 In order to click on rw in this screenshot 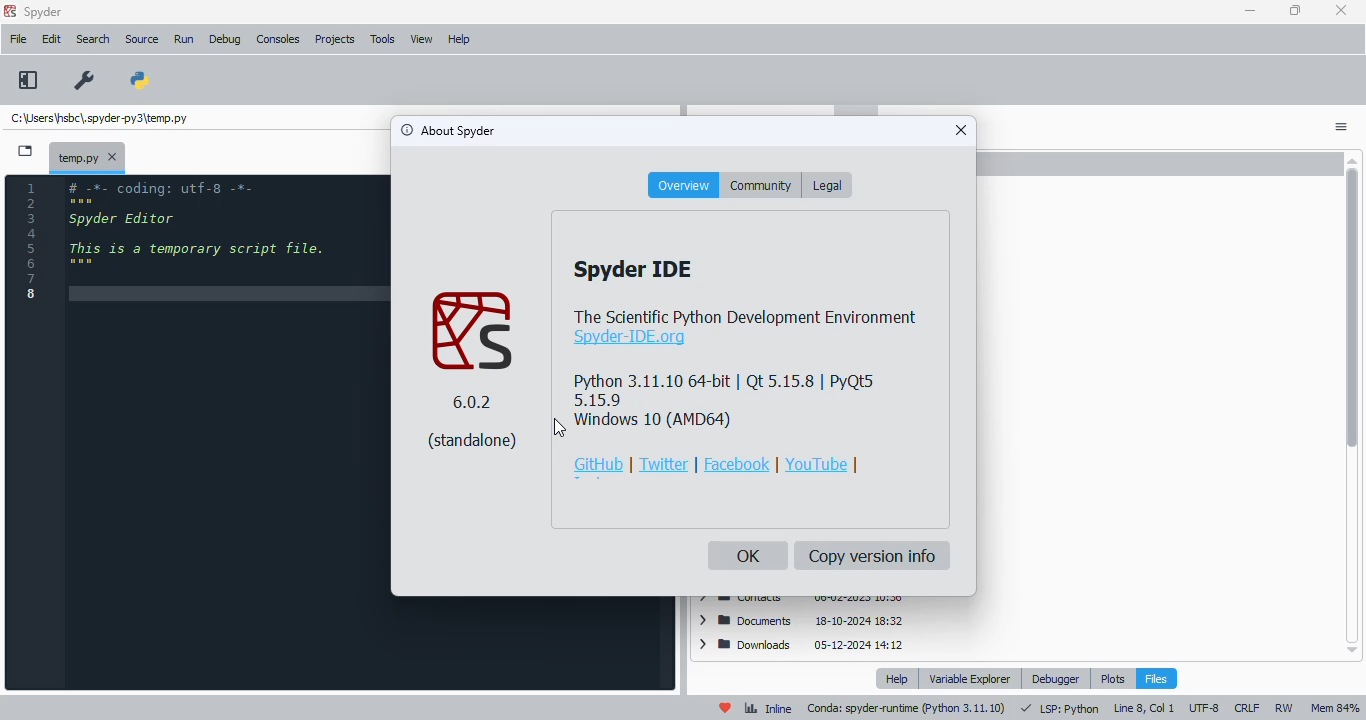, I will do `click(1284, 708)`.